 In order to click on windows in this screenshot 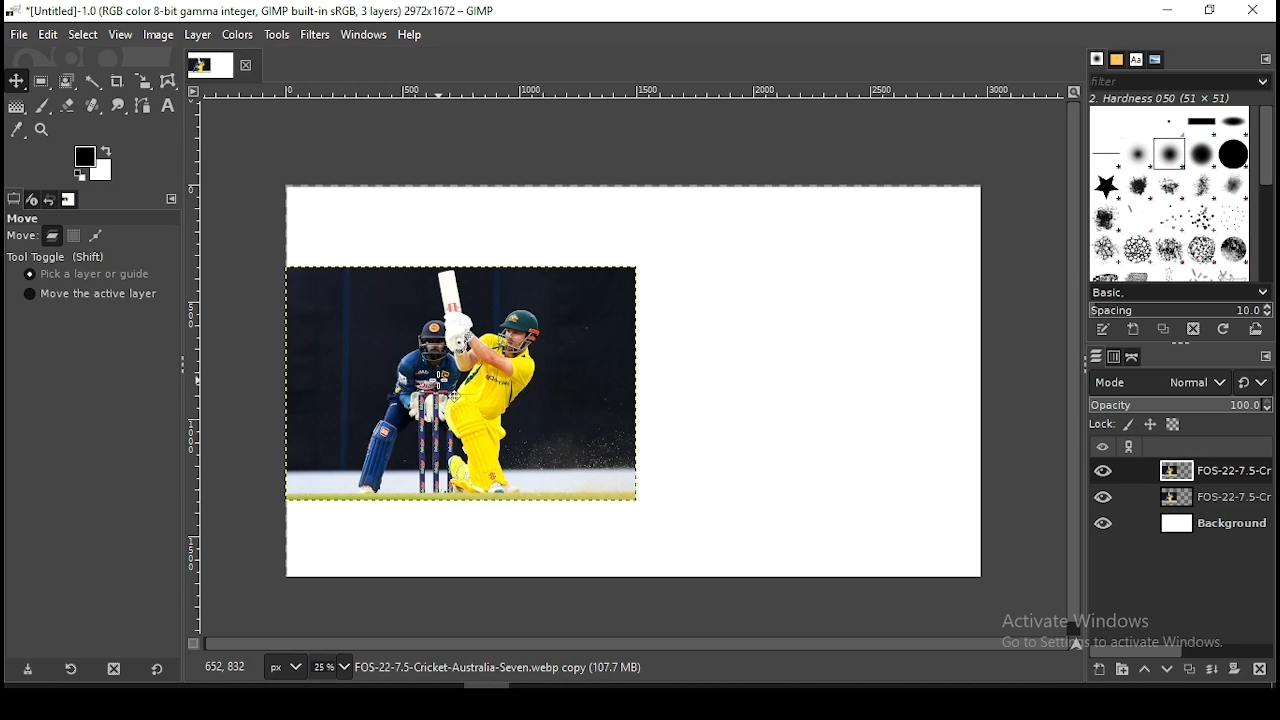, I will do `click(363, 35)`.